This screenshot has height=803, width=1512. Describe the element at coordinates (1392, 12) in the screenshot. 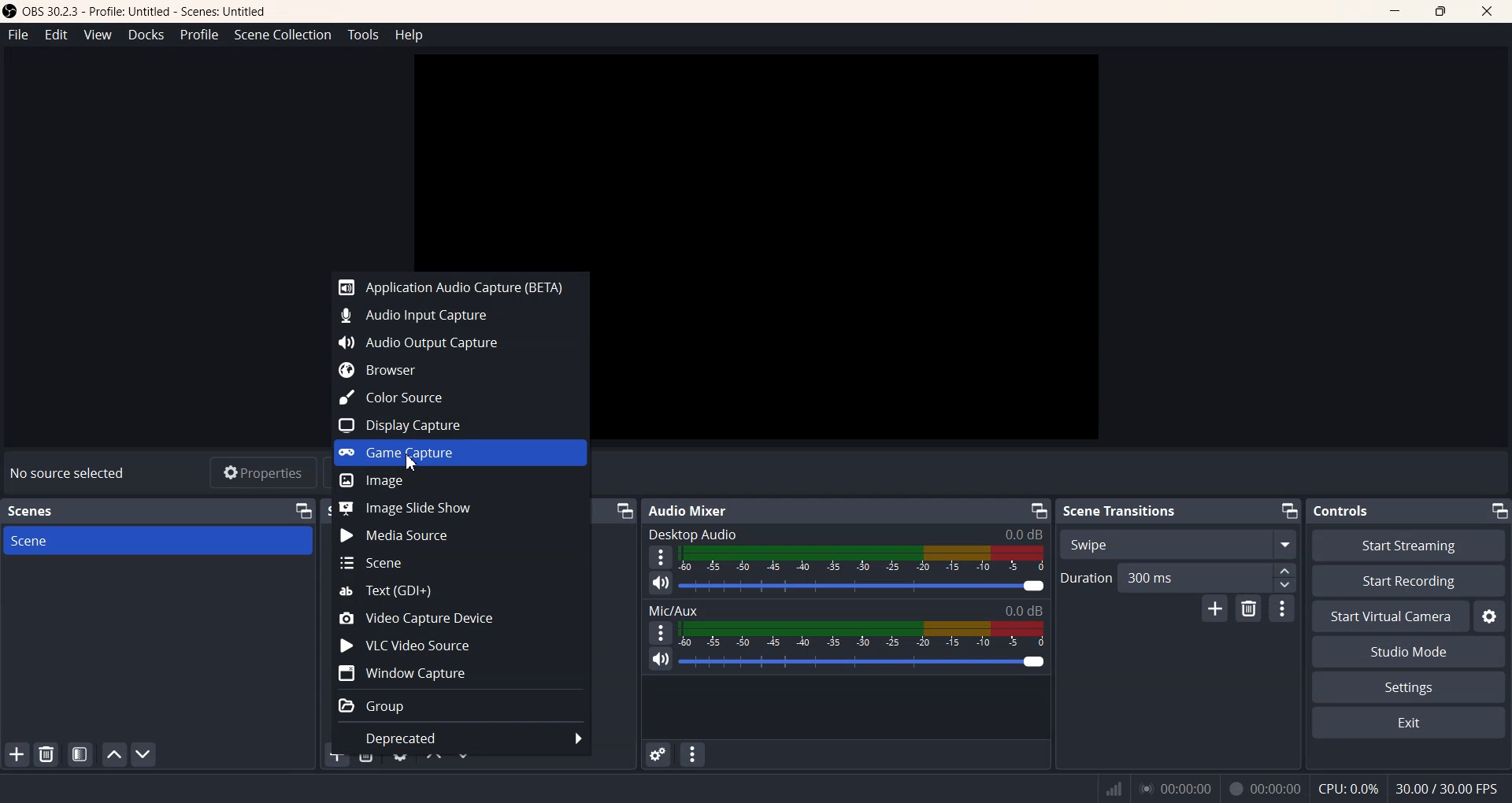

I see `Minimize` at that location.